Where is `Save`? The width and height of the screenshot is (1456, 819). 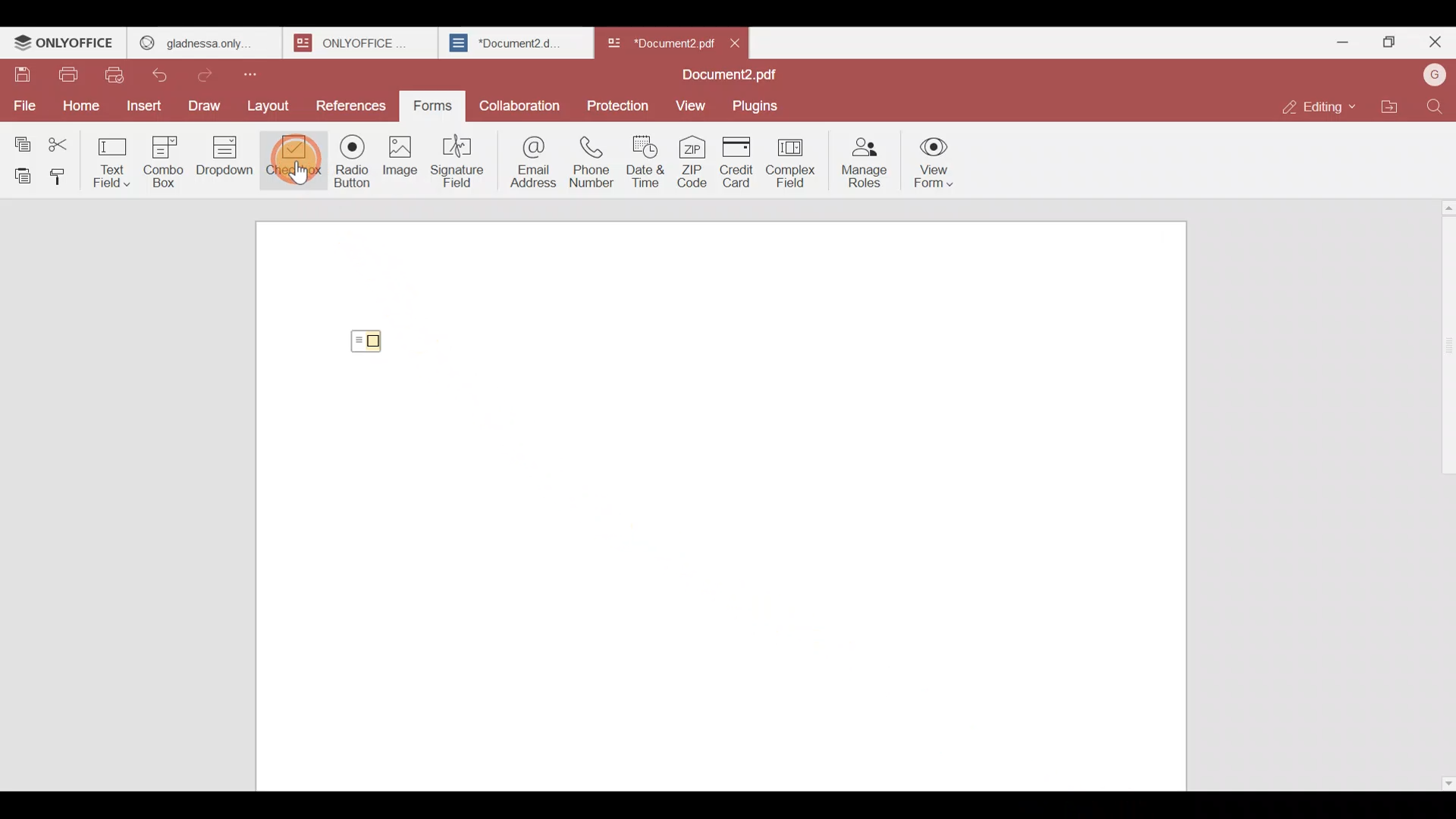
Save is located at coordinates (22, 75).